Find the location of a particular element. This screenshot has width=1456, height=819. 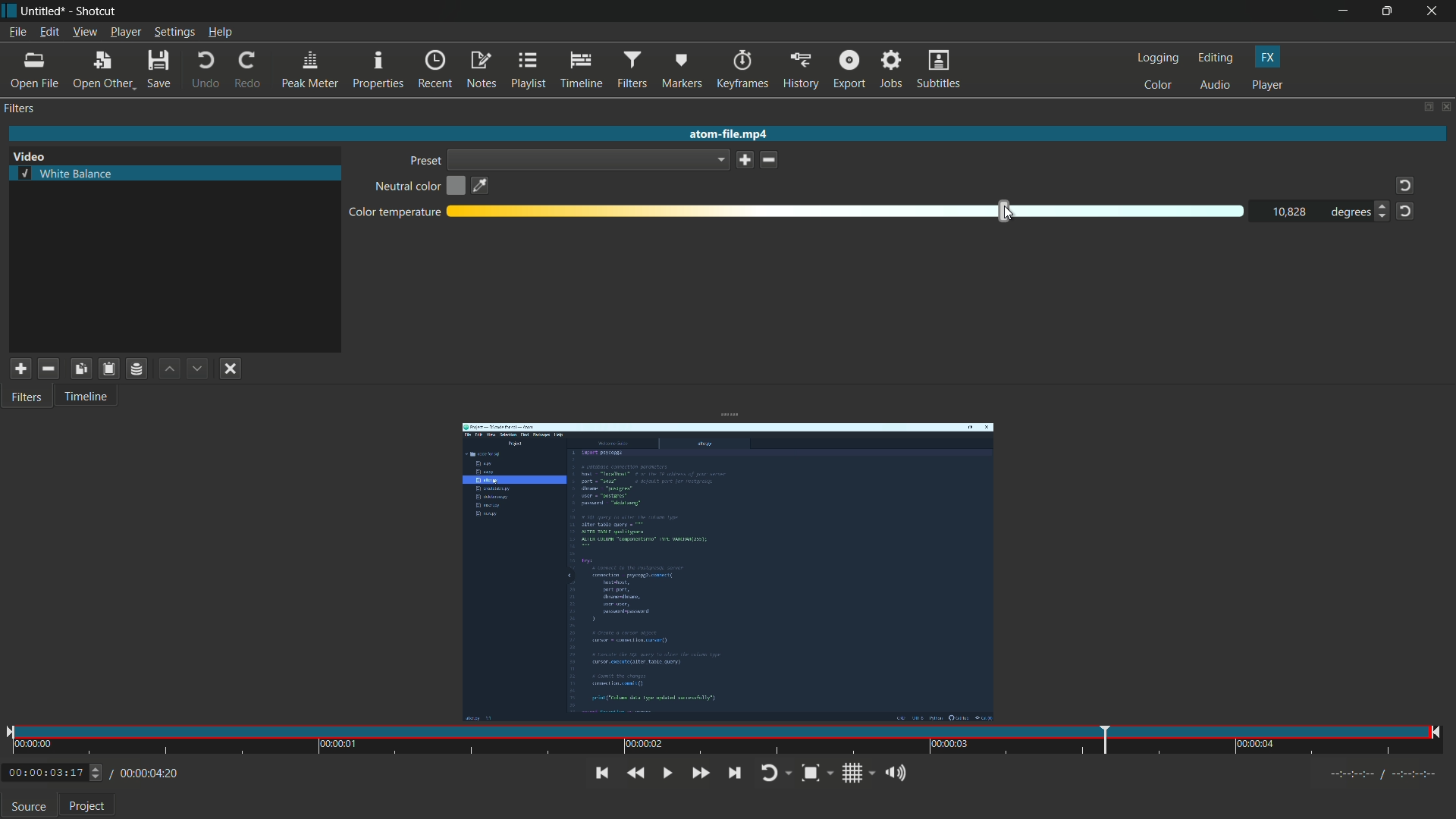

playlist is located at coordinates (527, 71).